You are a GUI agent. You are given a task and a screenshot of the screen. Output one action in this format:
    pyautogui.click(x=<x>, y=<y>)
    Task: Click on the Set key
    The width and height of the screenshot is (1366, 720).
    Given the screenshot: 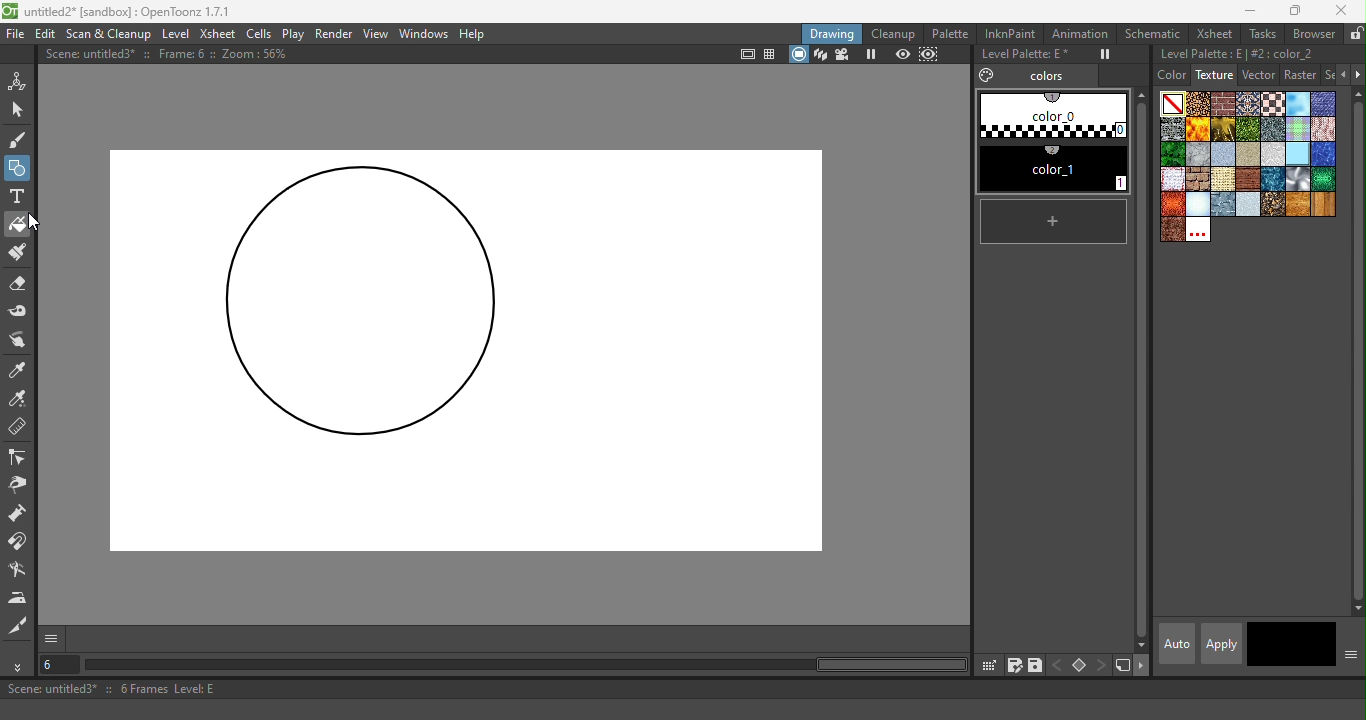 What is the action you would take?
    pyautogui.click(x=1079, y=666)
    